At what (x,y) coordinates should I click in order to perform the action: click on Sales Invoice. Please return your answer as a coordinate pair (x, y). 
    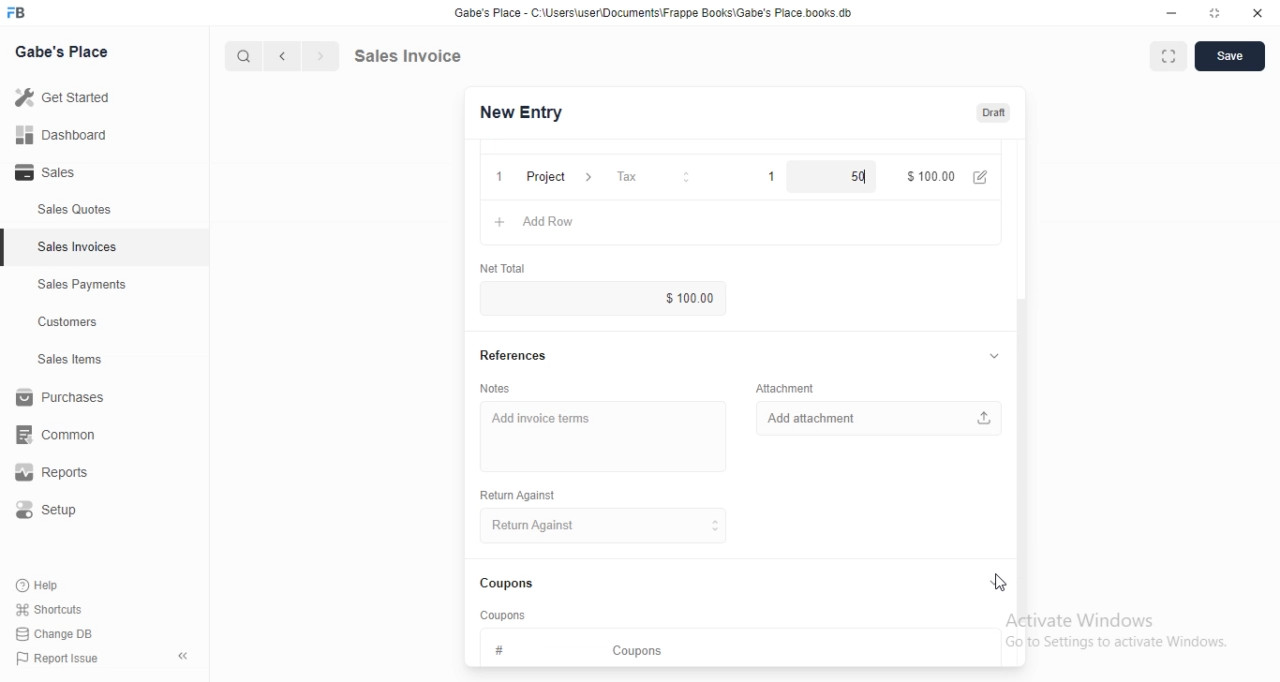
    Looking at the image, I should click on (419, 55).